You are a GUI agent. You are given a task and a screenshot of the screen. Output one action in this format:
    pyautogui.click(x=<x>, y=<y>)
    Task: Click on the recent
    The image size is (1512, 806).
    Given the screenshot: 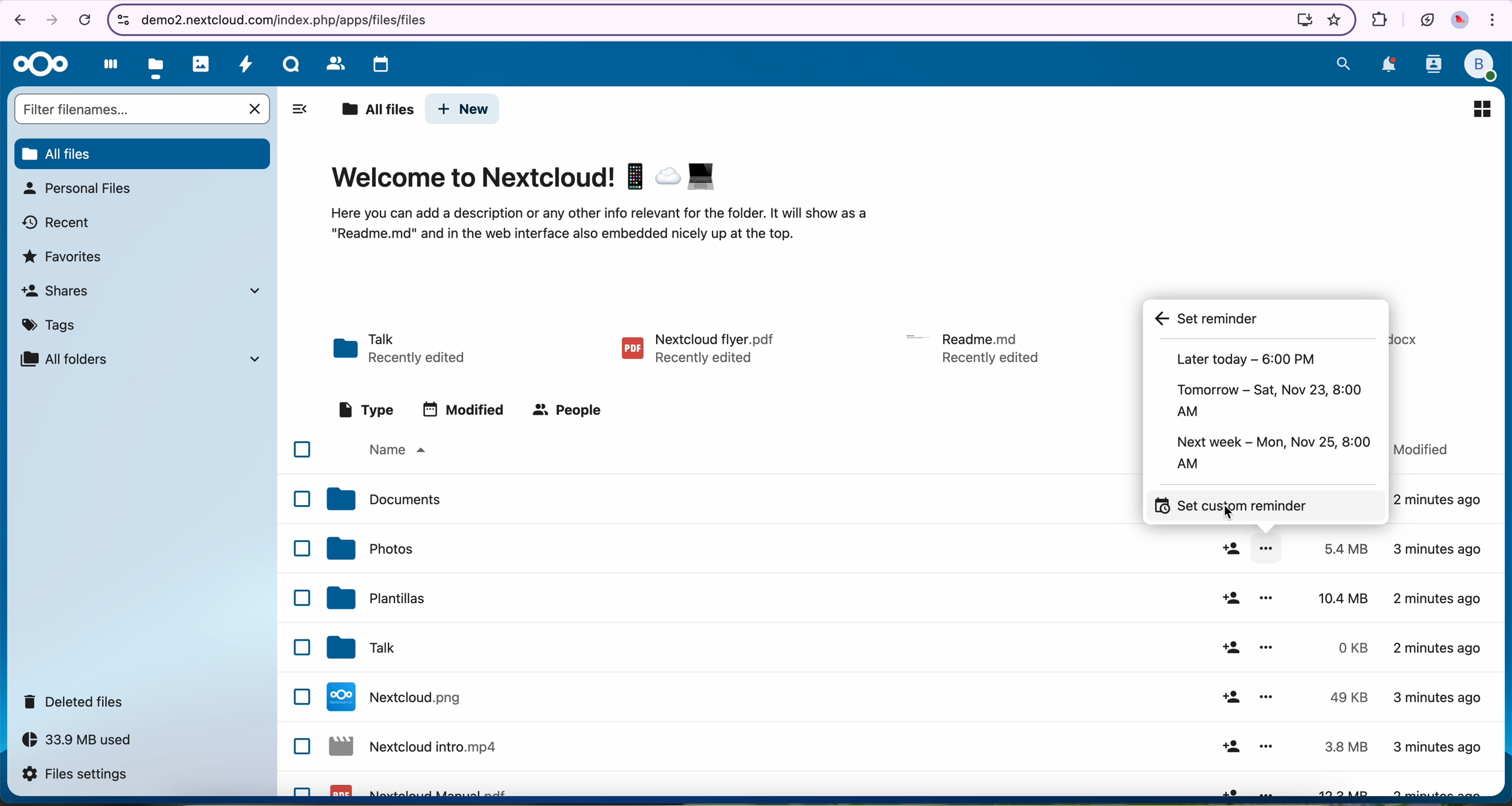 What is the action you would take?
    pyautogui.click(x=59, y=222)
    